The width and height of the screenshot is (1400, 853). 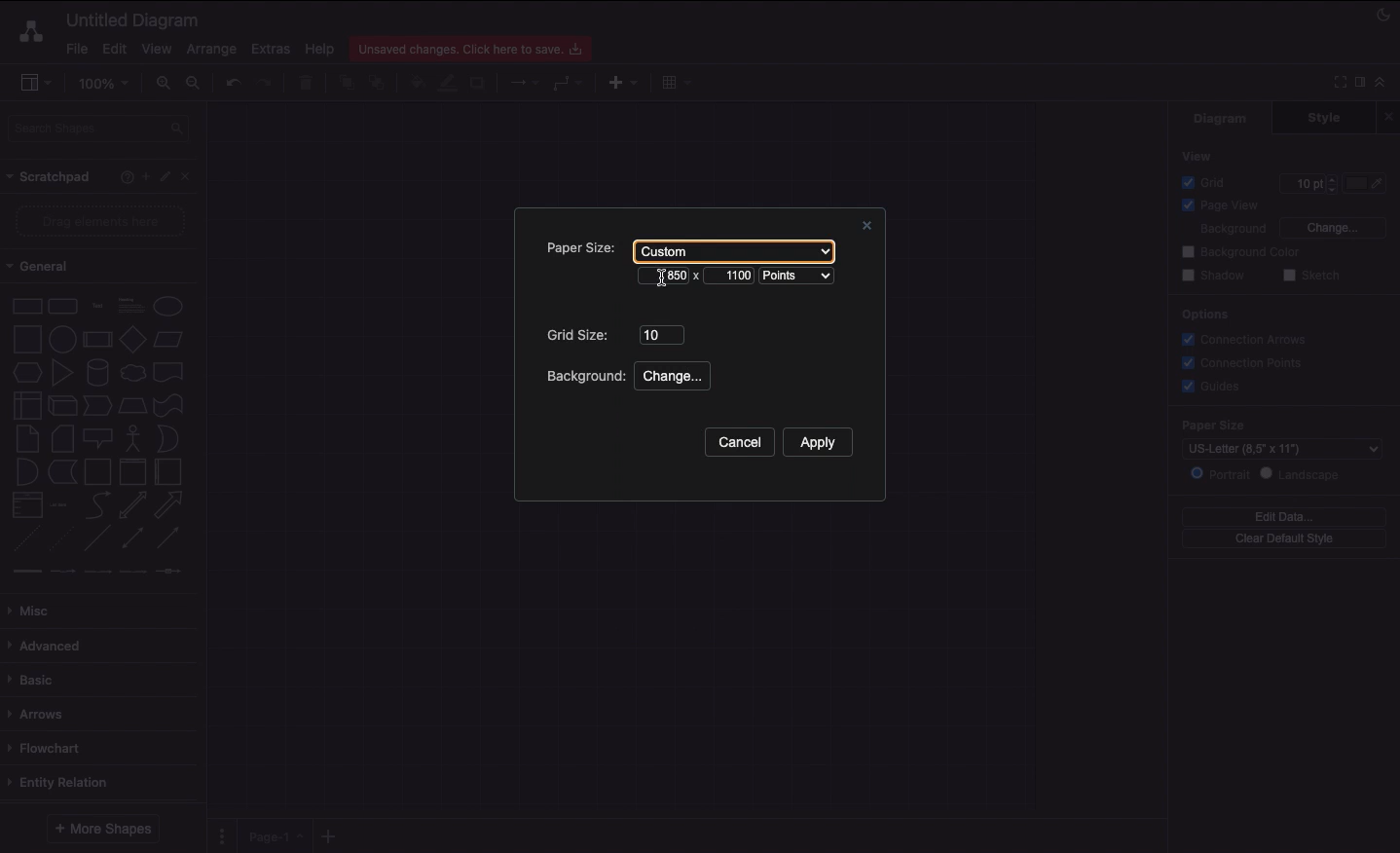 I want to click on Or, so click(x=168, y=437).